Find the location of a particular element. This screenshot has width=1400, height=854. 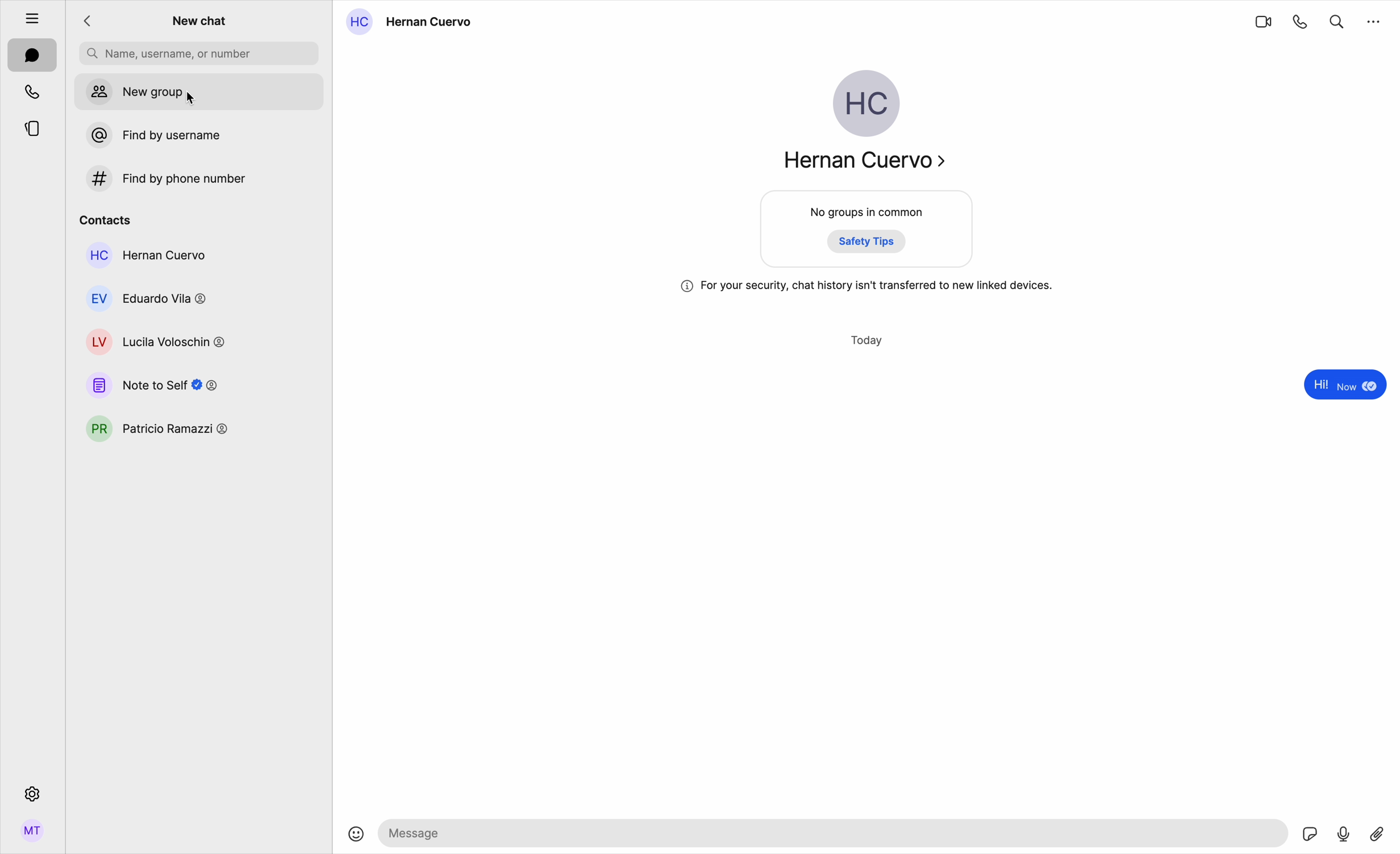

call is located at coordinates (1301, 21).